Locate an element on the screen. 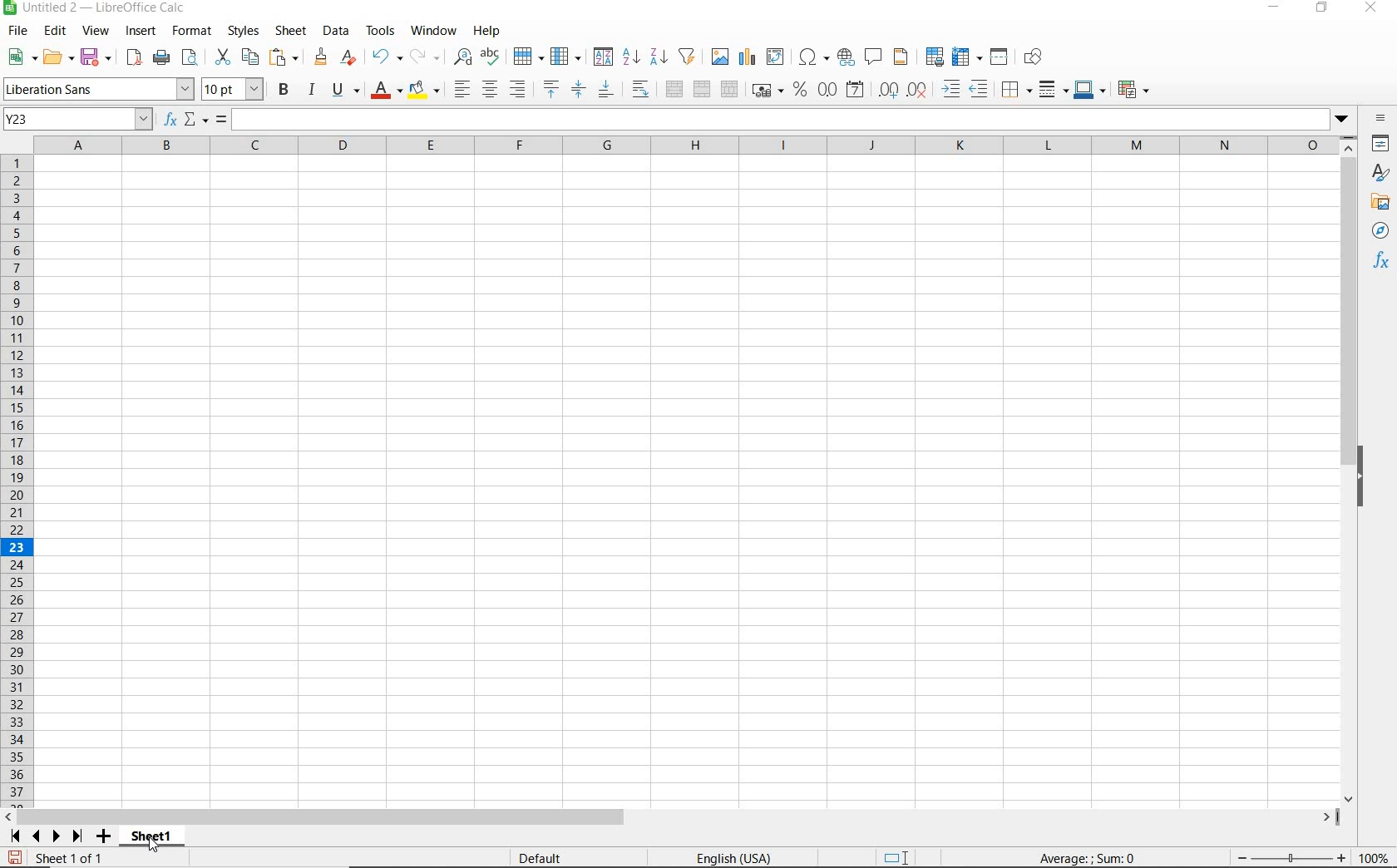 The height and width of the screenshot is (868, 1397). INSERT IMAGE is located at coordinates (720, 56).